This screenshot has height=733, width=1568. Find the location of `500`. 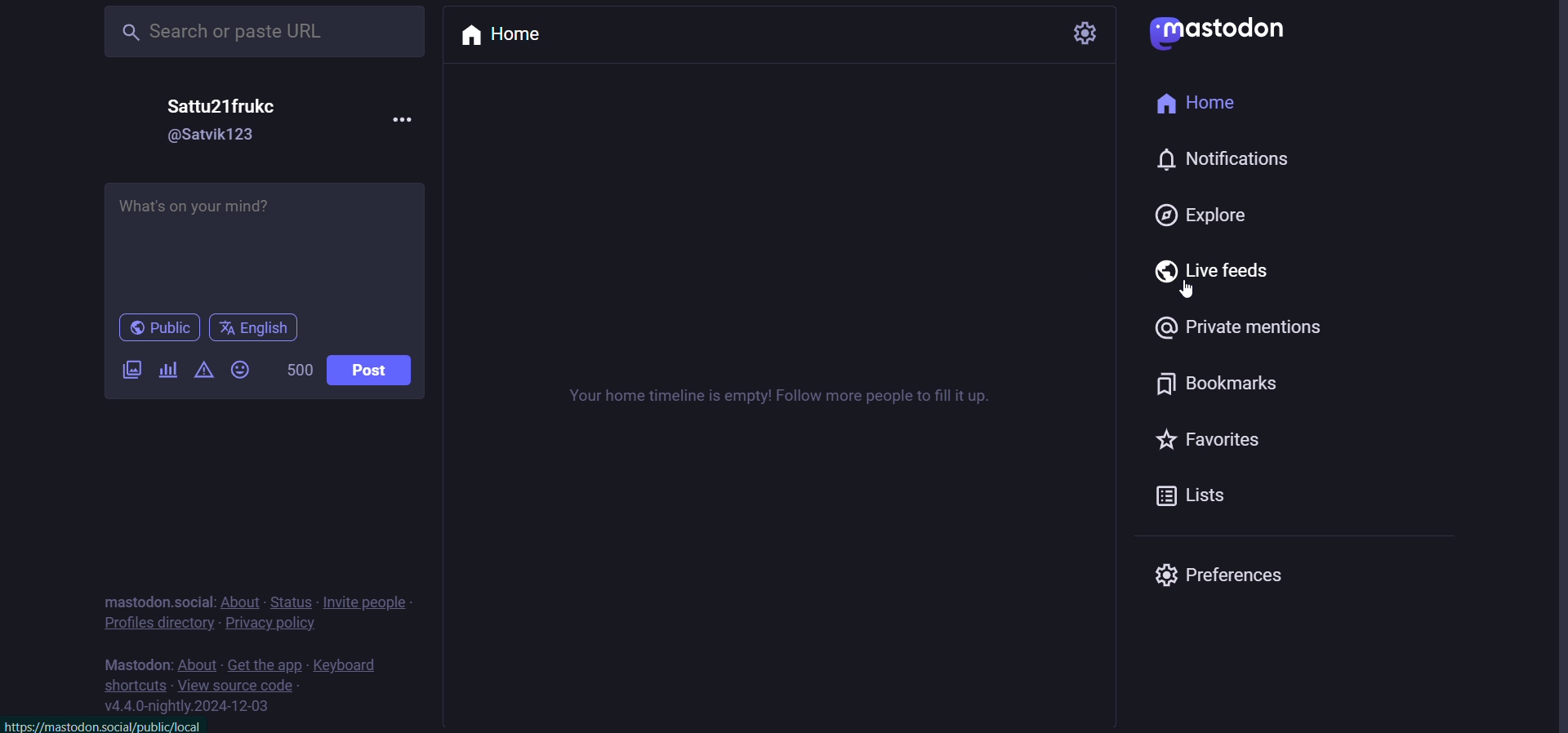

500 is located at coordinates (298, 366).